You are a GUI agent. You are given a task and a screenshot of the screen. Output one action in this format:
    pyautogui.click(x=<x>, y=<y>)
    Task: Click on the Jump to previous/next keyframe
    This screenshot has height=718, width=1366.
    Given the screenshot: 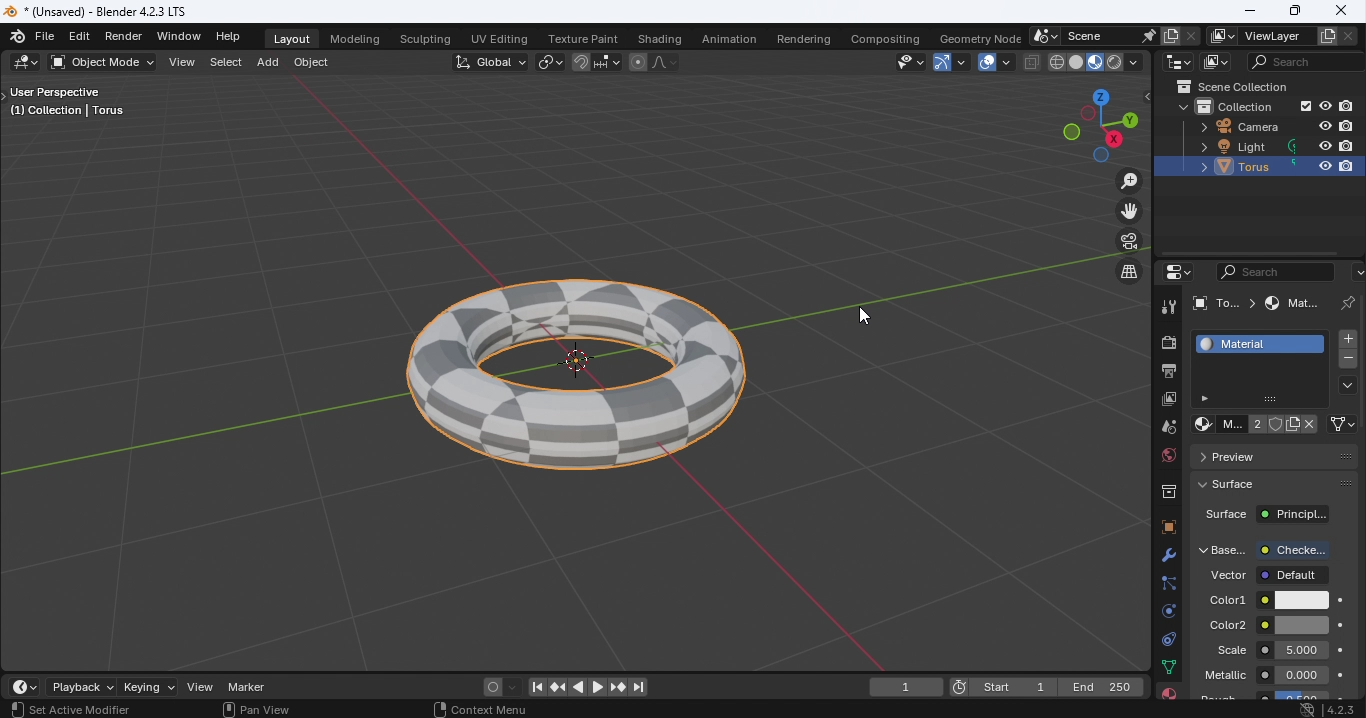 What is the action you would take?
    pyautogui.click(x=617, y=689)
    